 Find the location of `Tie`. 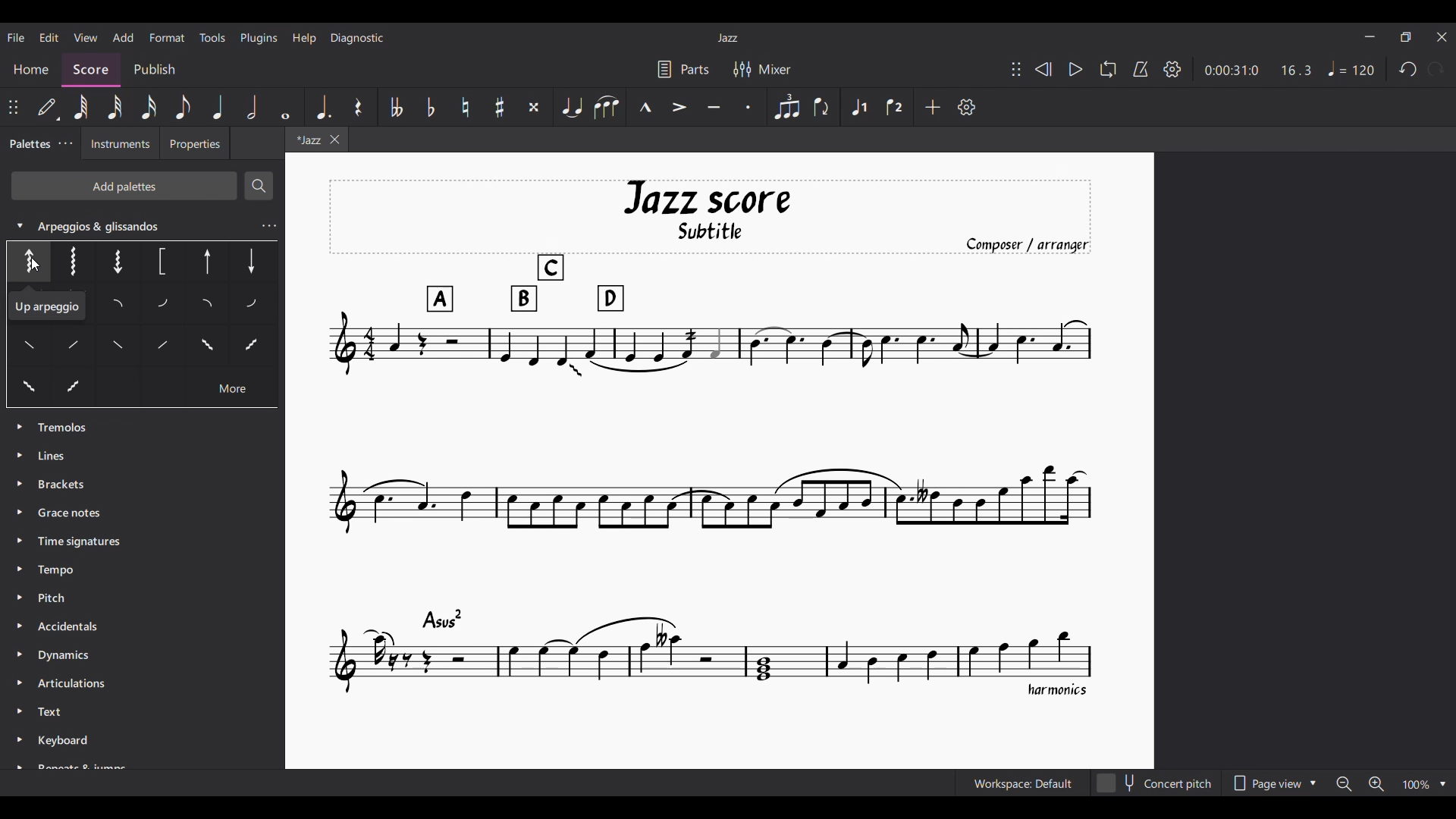

Tie is located at coordinates (570, 107).